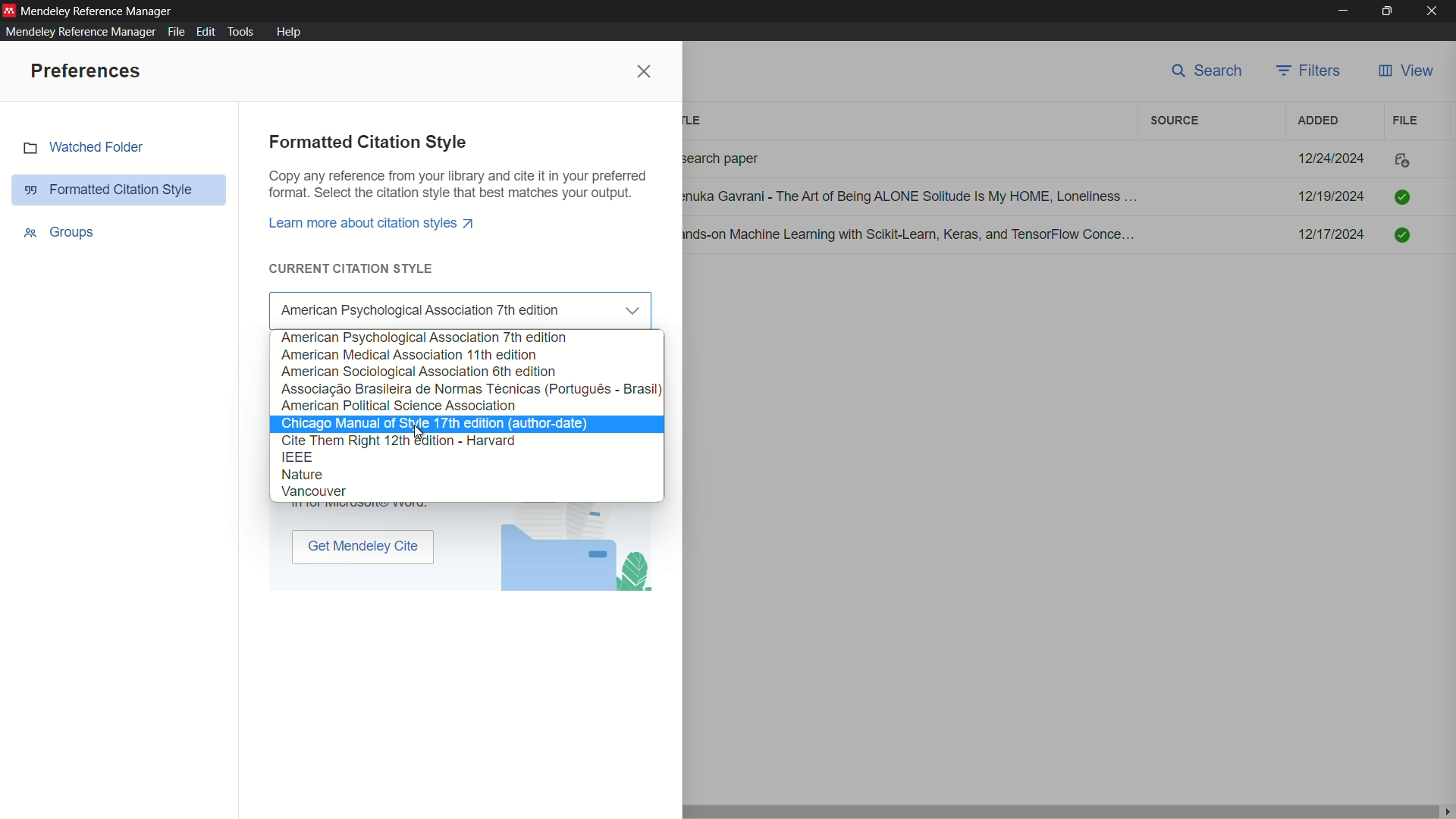 This screenshot has width=1456, height=819. Describe the element at coordinates (470, 303) in the screenshot. I see `citation styles` at that location.